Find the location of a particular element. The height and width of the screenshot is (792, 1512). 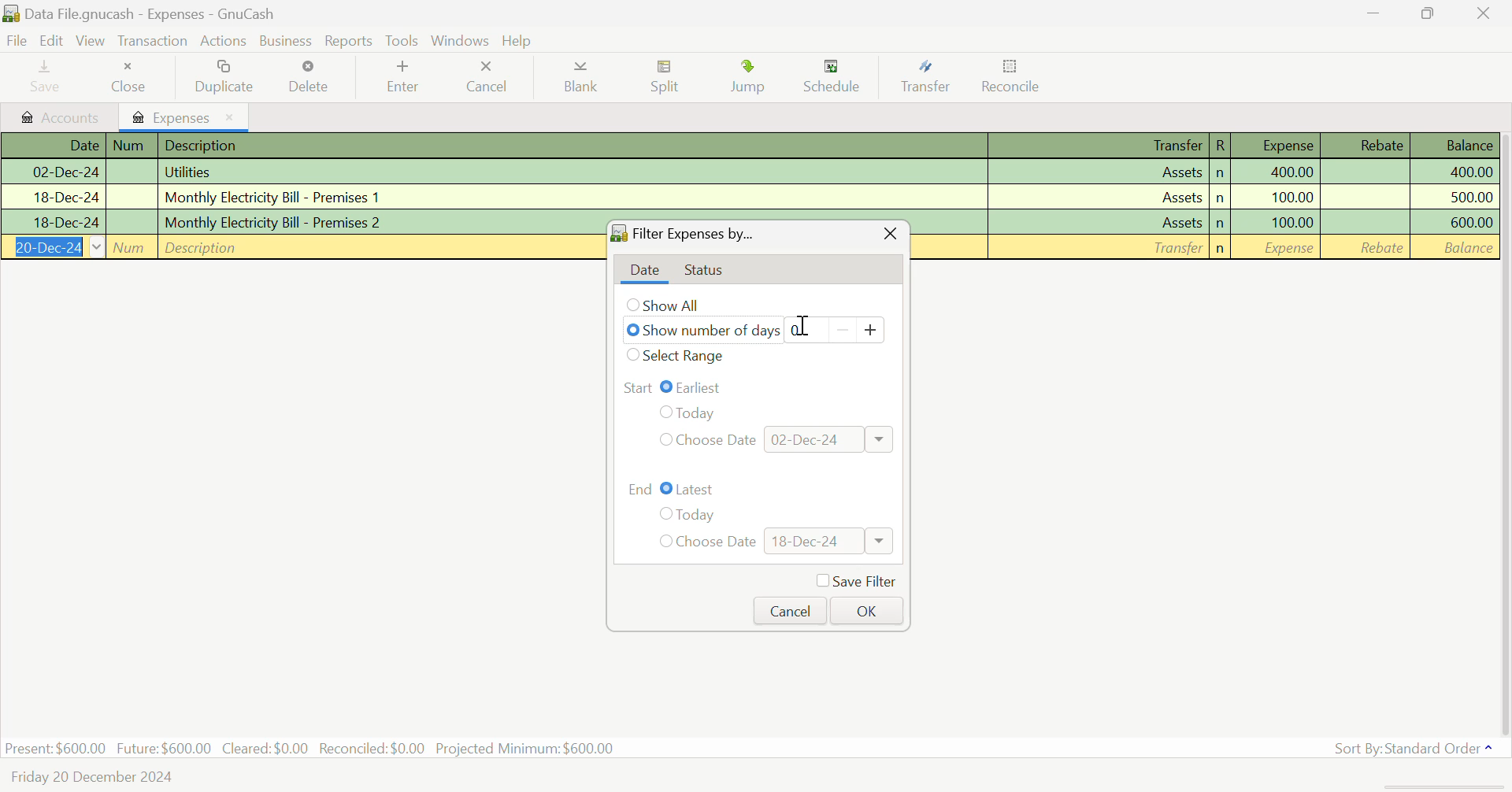

OK is located at coordinates (866, 611).